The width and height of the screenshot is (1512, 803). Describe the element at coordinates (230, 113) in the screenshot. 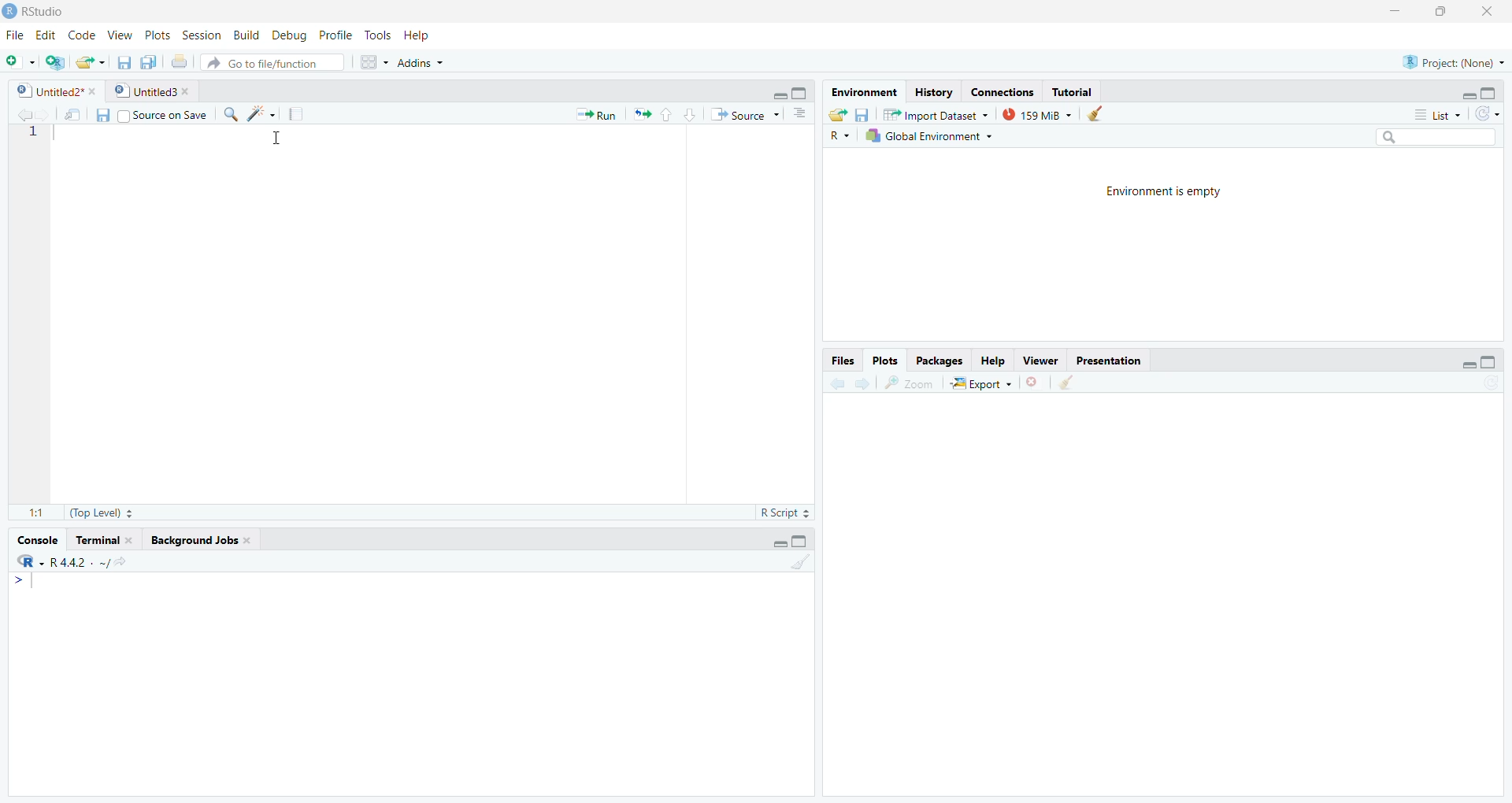

I see `Find/Replace` at that location.